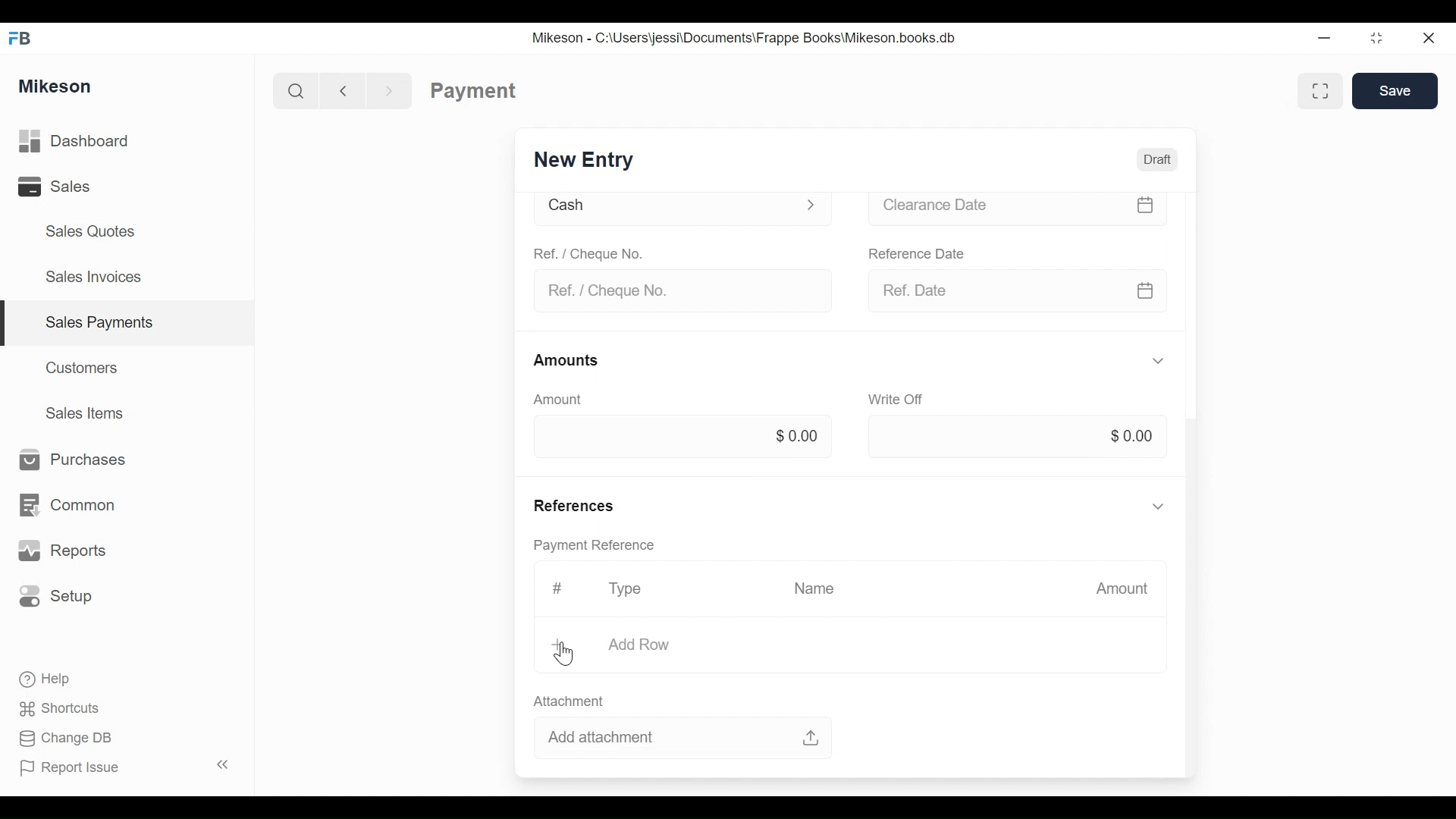 Image resolution: width=1456 pixels, height=819 pixels. Describe the element at coordinates (583, 158) in the screenshot. I see `New Entry` at that location.